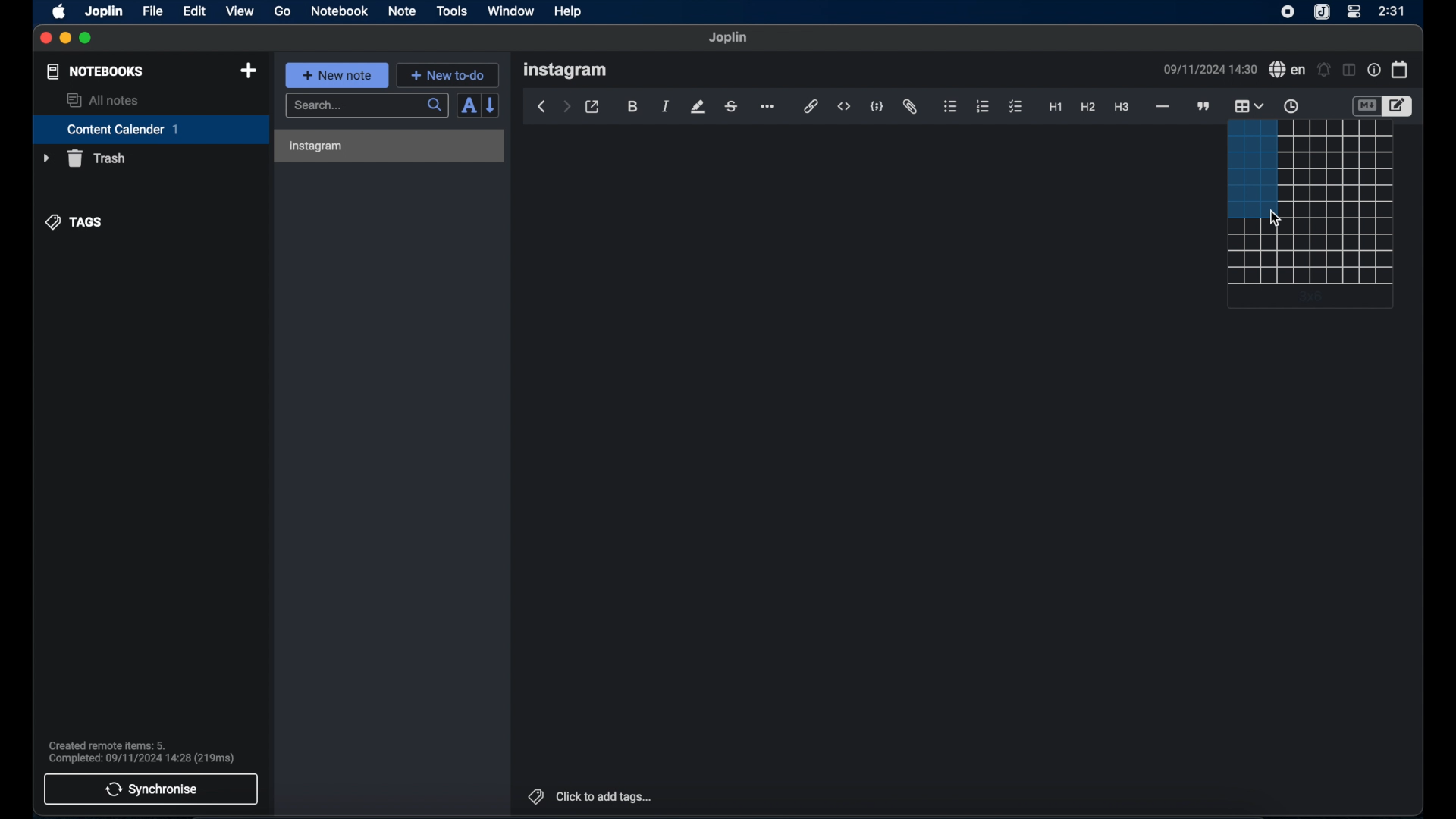 The image size is (1456, 819). I want to click on table, so click(1310, 253).